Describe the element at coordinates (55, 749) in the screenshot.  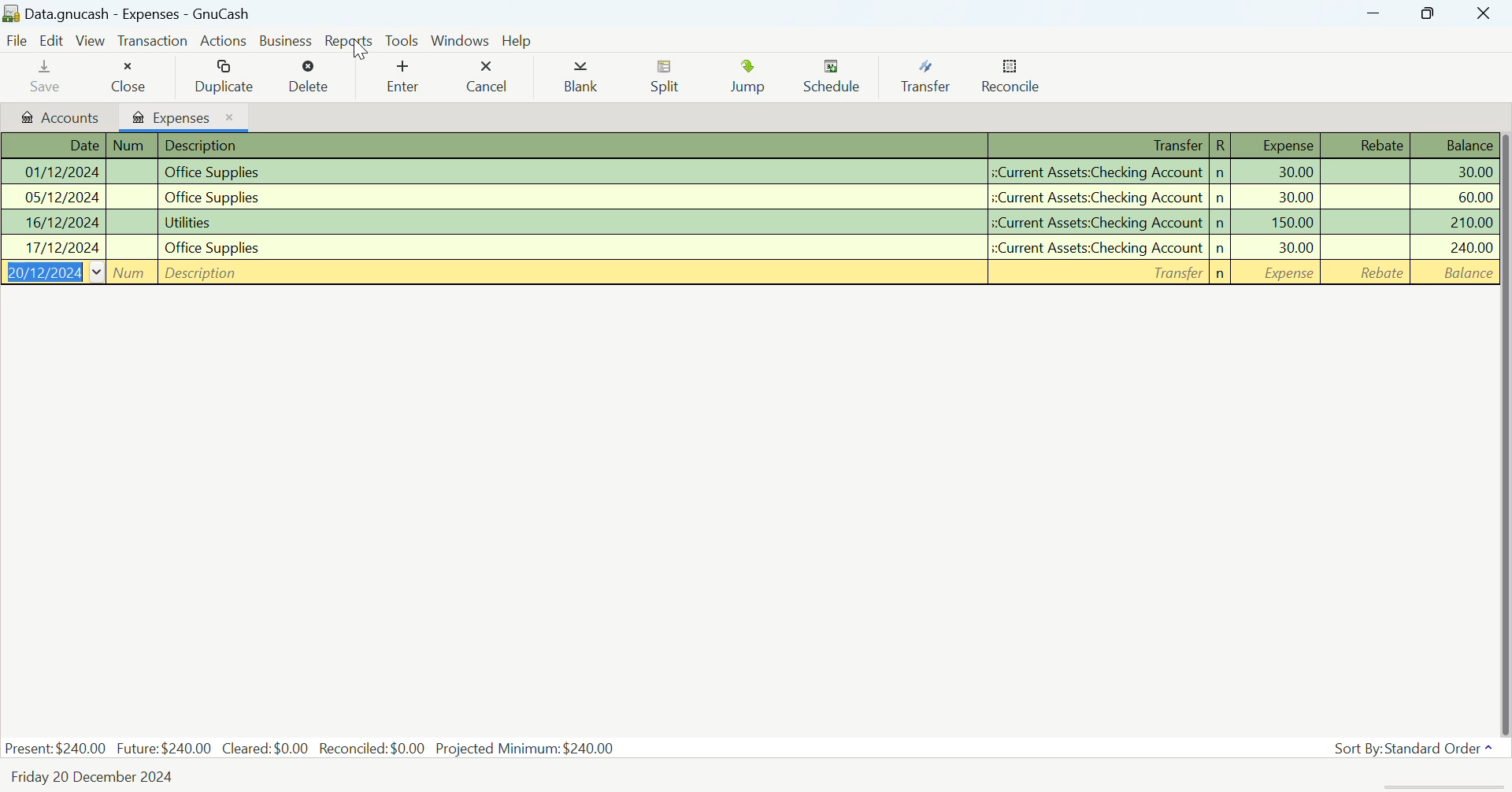
I see `Present` at that location.